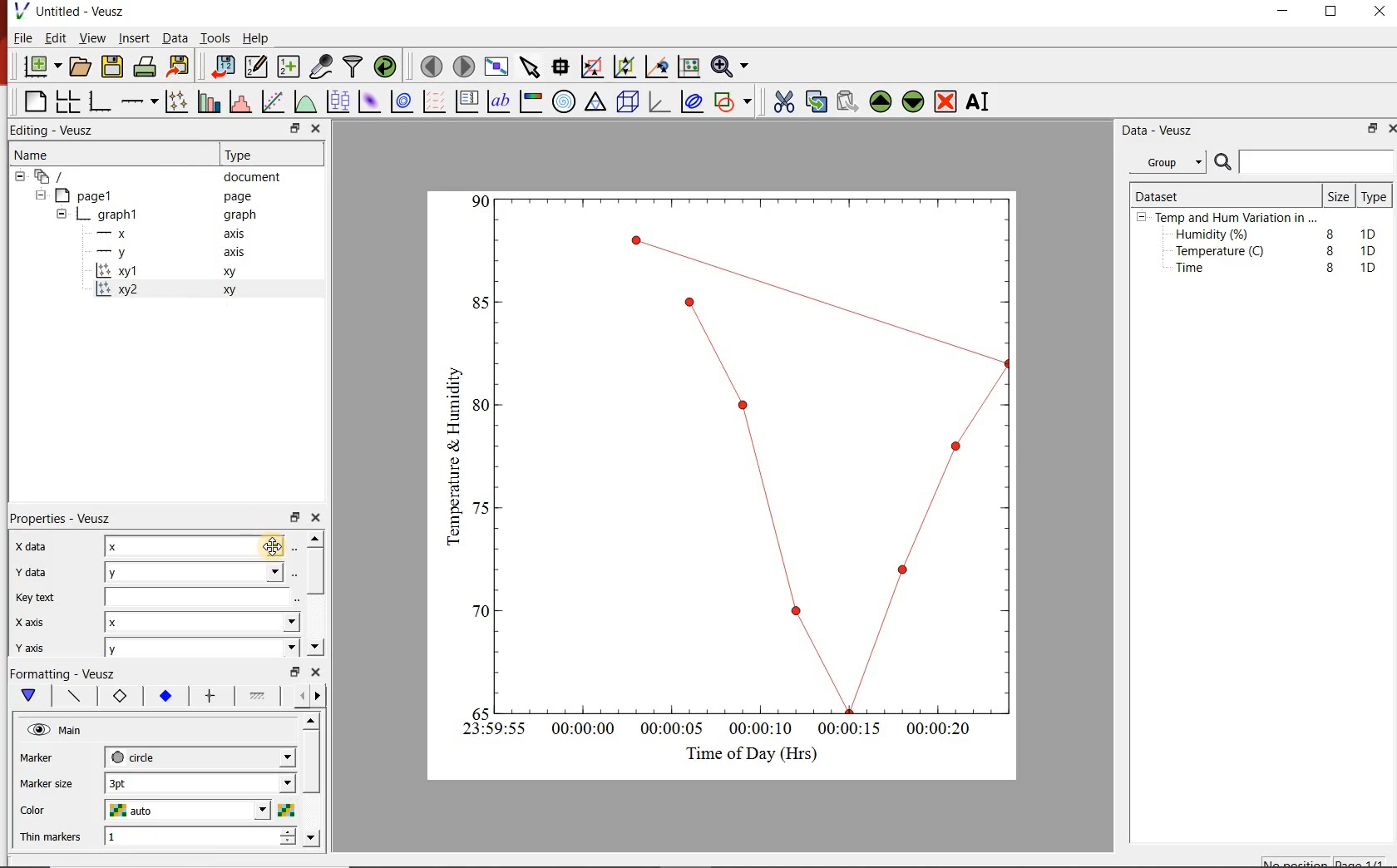  What do you see at coordinates (338, 102) in the screenshot?
I see `plot box plots` at bounding box center [338, 102].